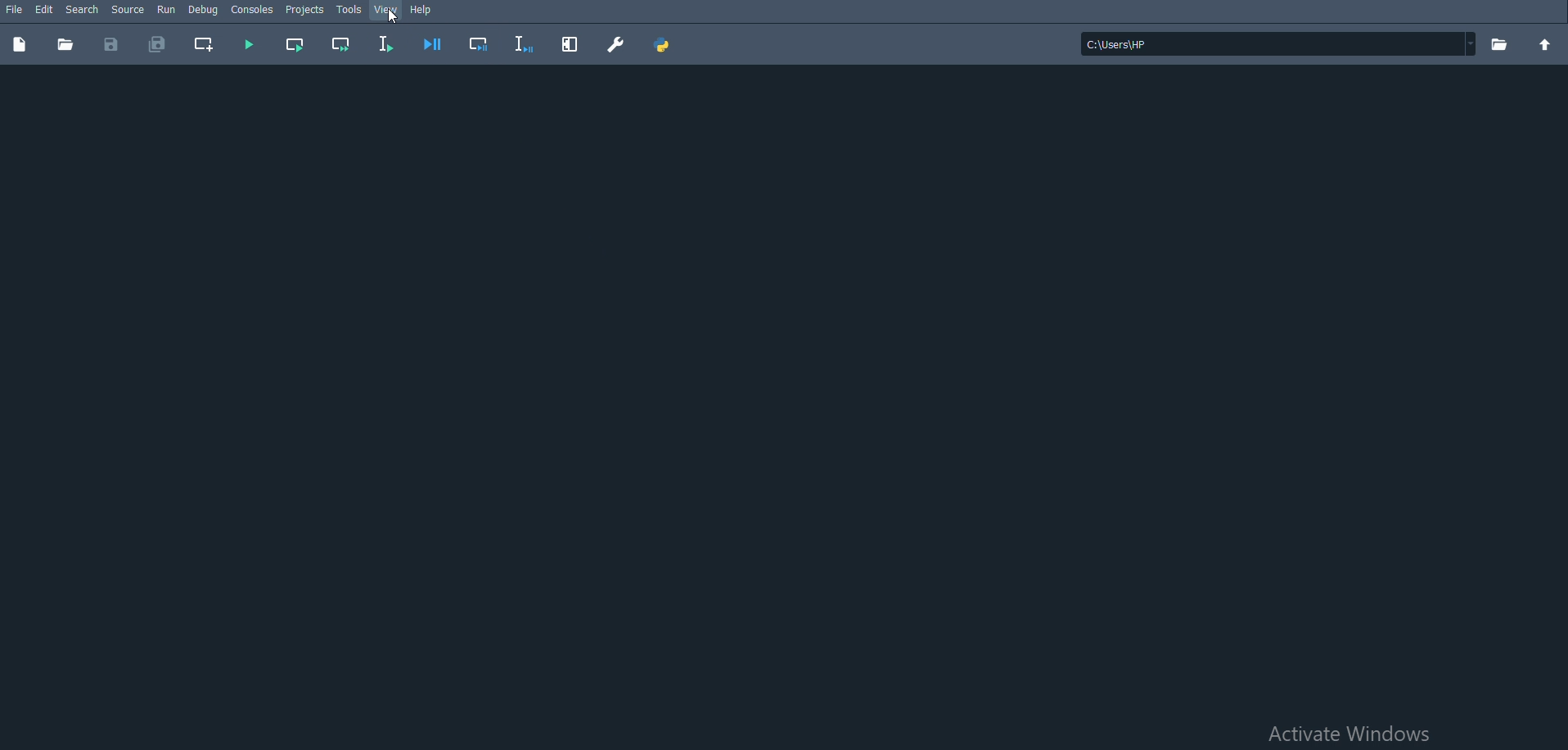 The image size is (1568, 750). I want to click on Save all files, so click(158, 44).